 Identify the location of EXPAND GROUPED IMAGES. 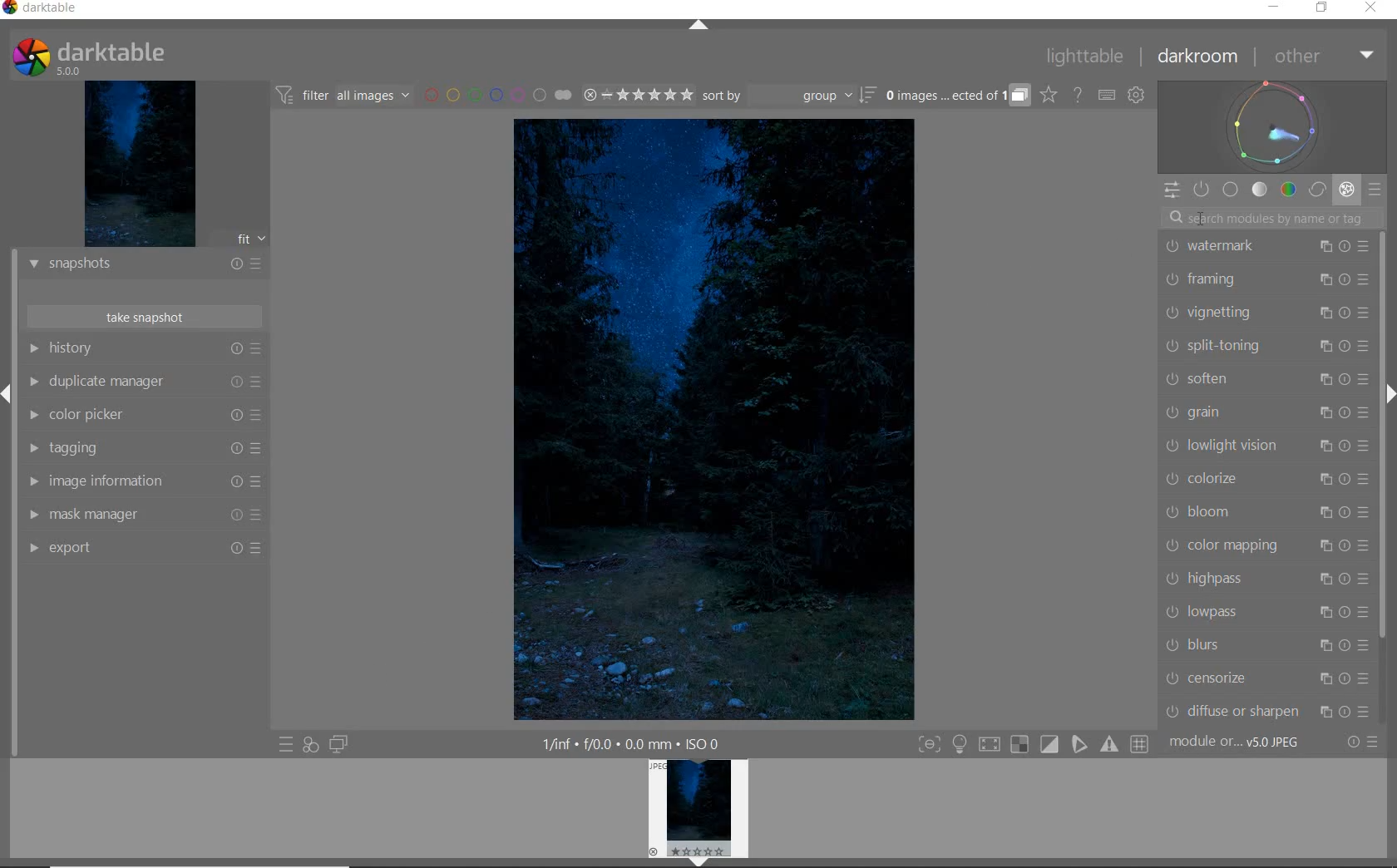
(958, 94).